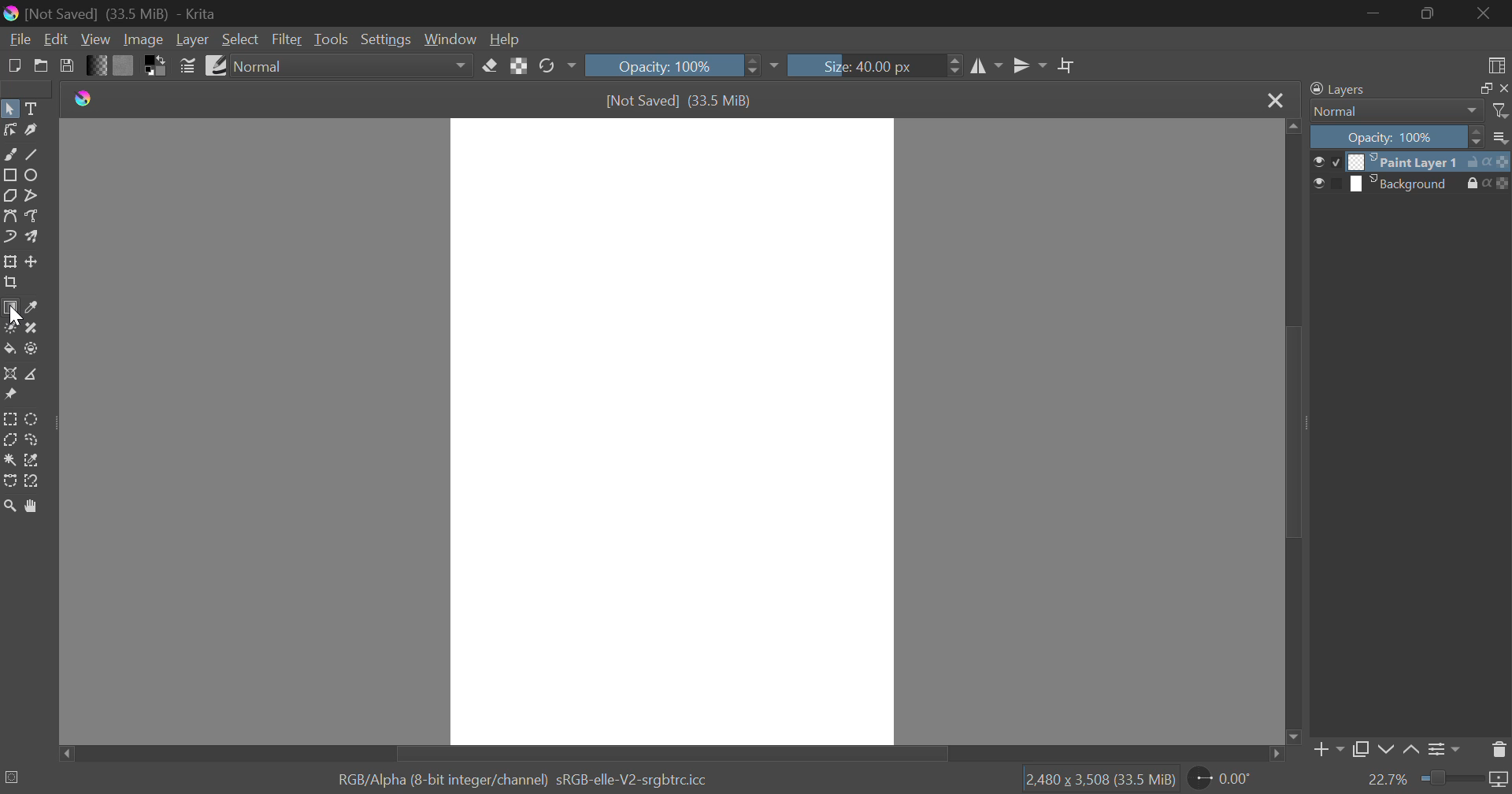 The height and width of the screenshot is (794, 1512). Describe the element at coordinates (9, 153) in the screenshot. I see `Freehand` at that location.